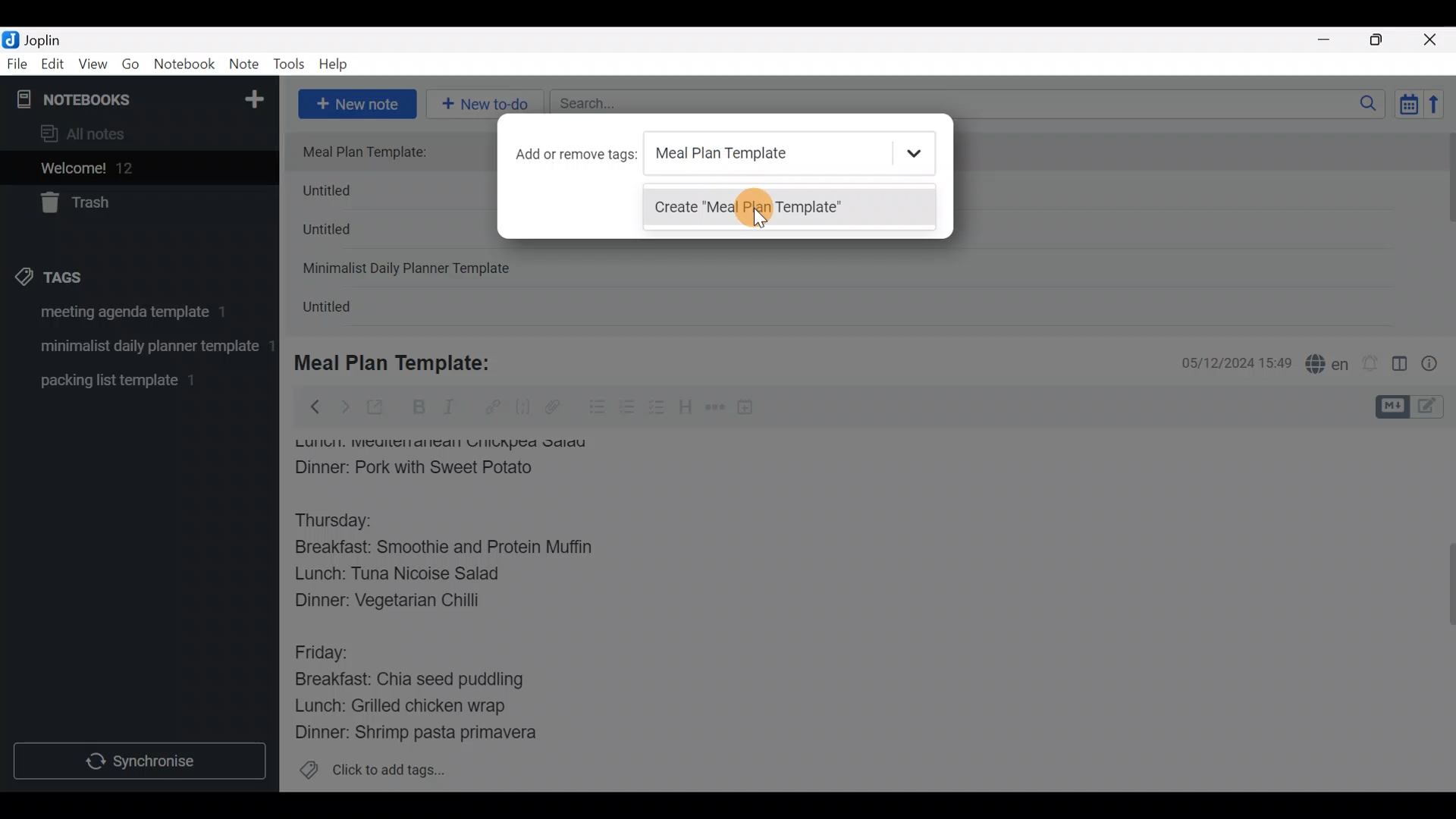 This screenshot has width=1456, height=819. Describe the element at coordinates (136, 135) in the screenshot. I see `All notes` at that location.